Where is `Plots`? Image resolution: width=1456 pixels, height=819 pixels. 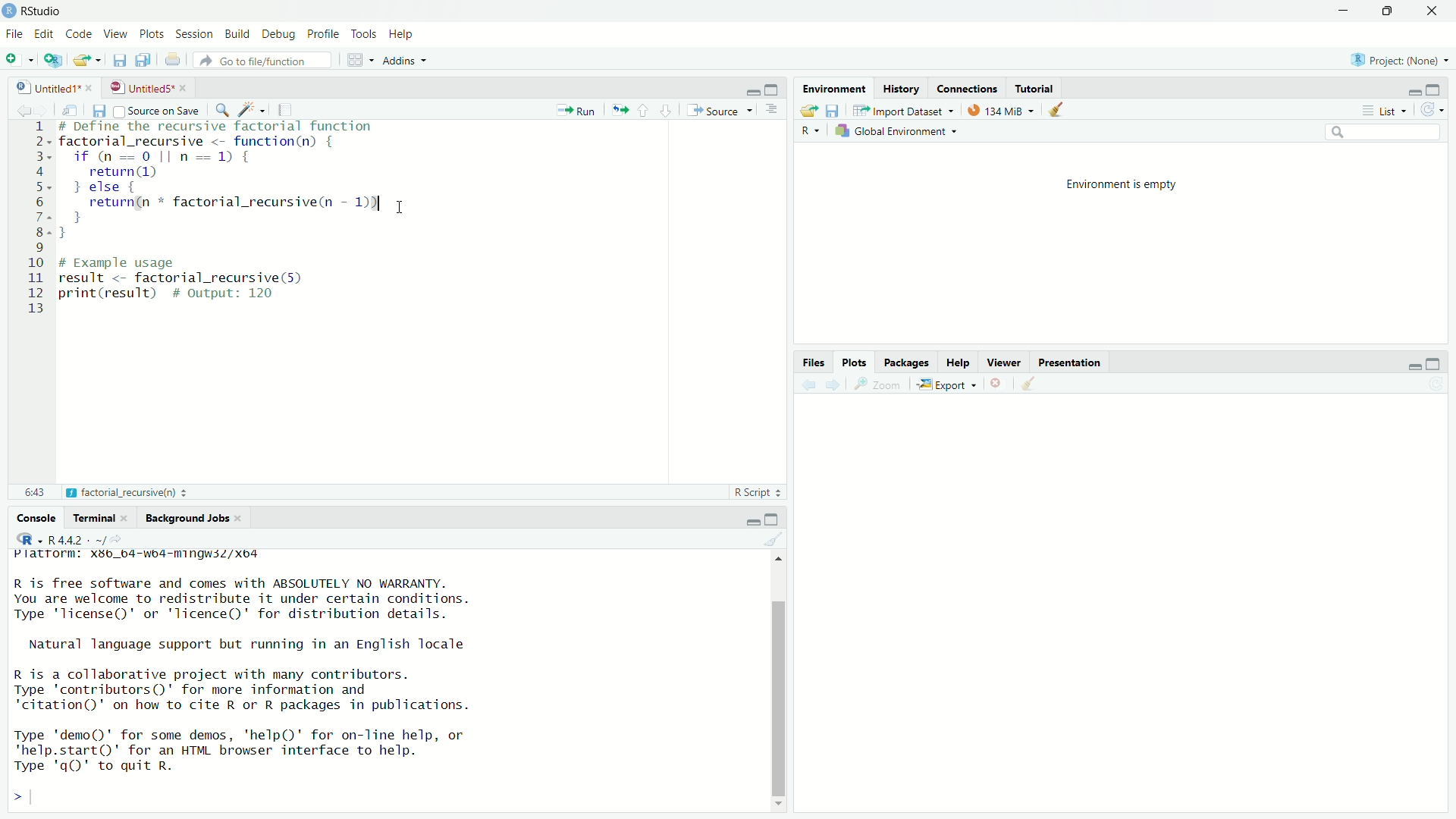 Plots is located at coordinates (151, 33).